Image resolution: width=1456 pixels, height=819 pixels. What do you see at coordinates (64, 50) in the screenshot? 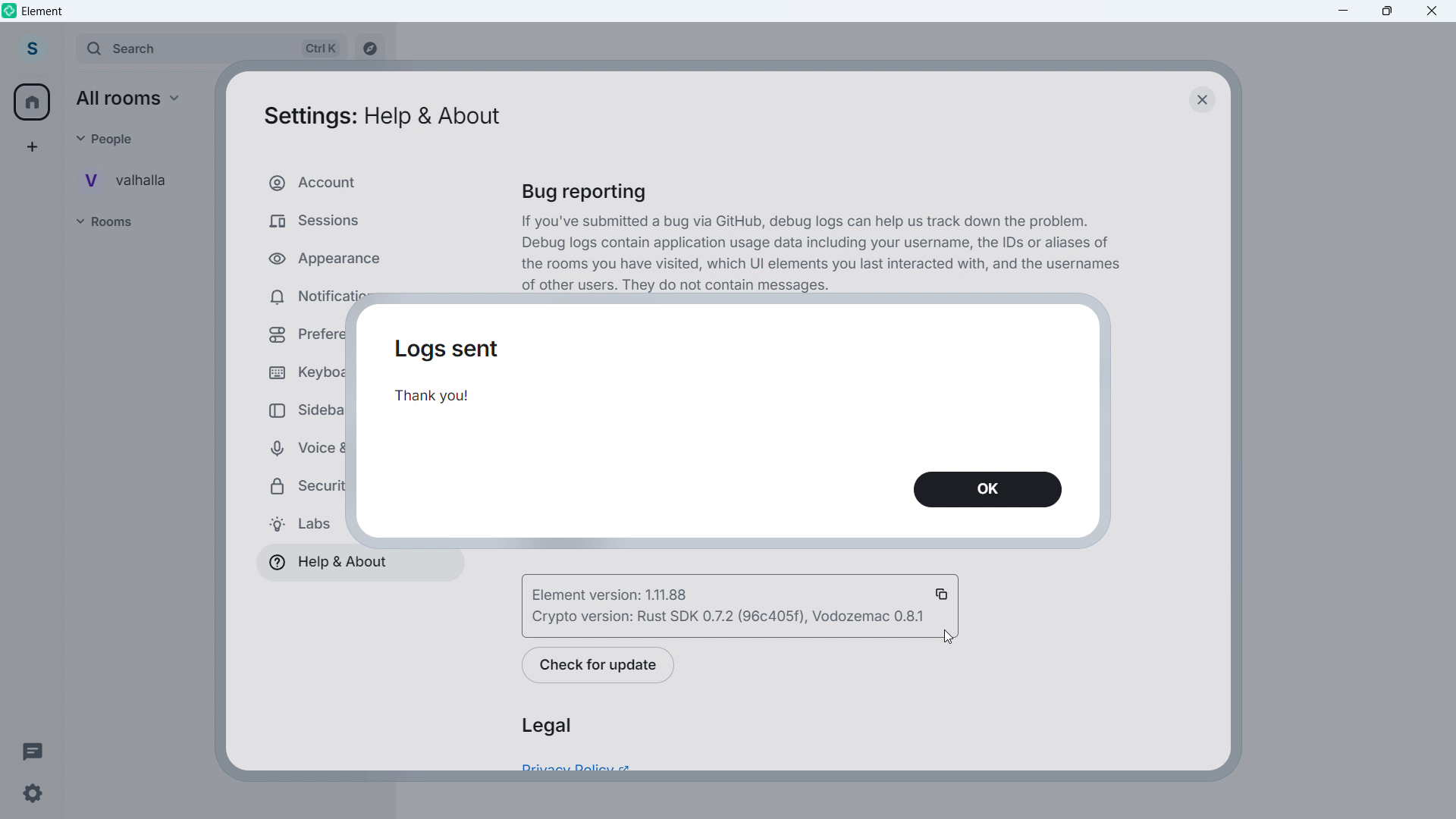
I see `Expand sidebar ` at bounding box center [64, 50].